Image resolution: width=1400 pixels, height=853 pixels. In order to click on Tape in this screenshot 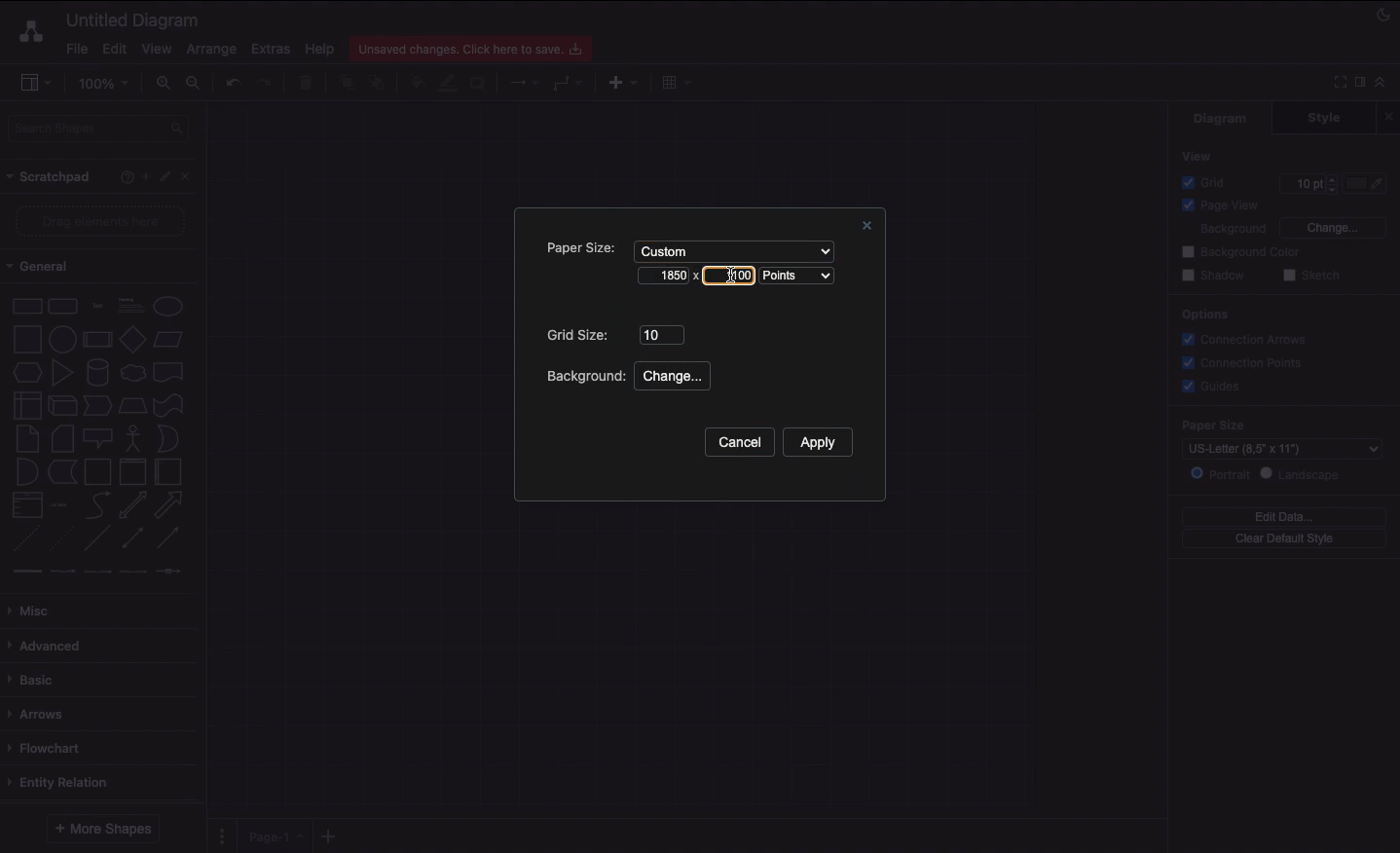, I will do `click(171, 404)`.